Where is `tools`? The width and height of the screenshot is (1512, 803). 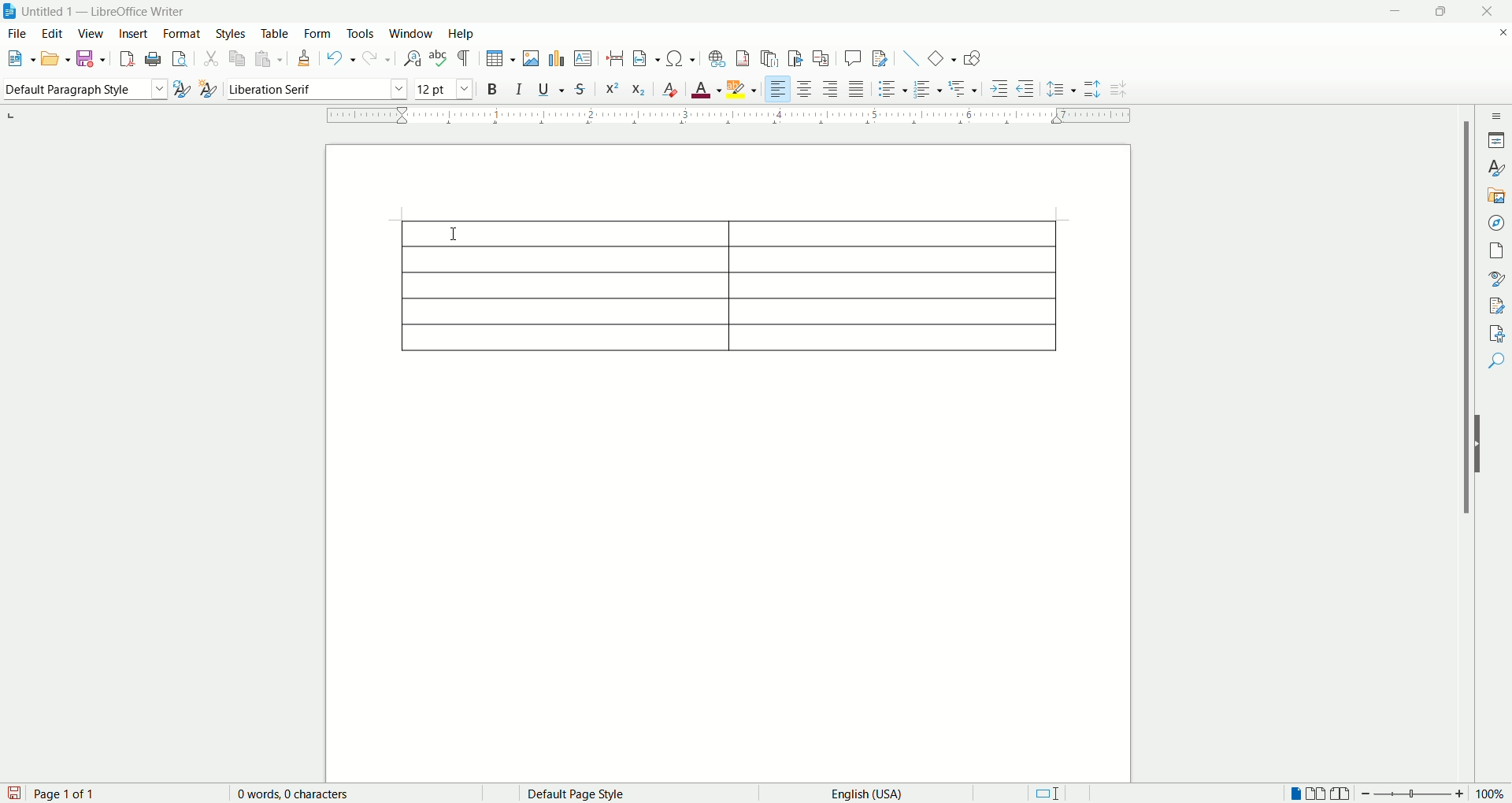 tools is located at coordinates (362, 33).